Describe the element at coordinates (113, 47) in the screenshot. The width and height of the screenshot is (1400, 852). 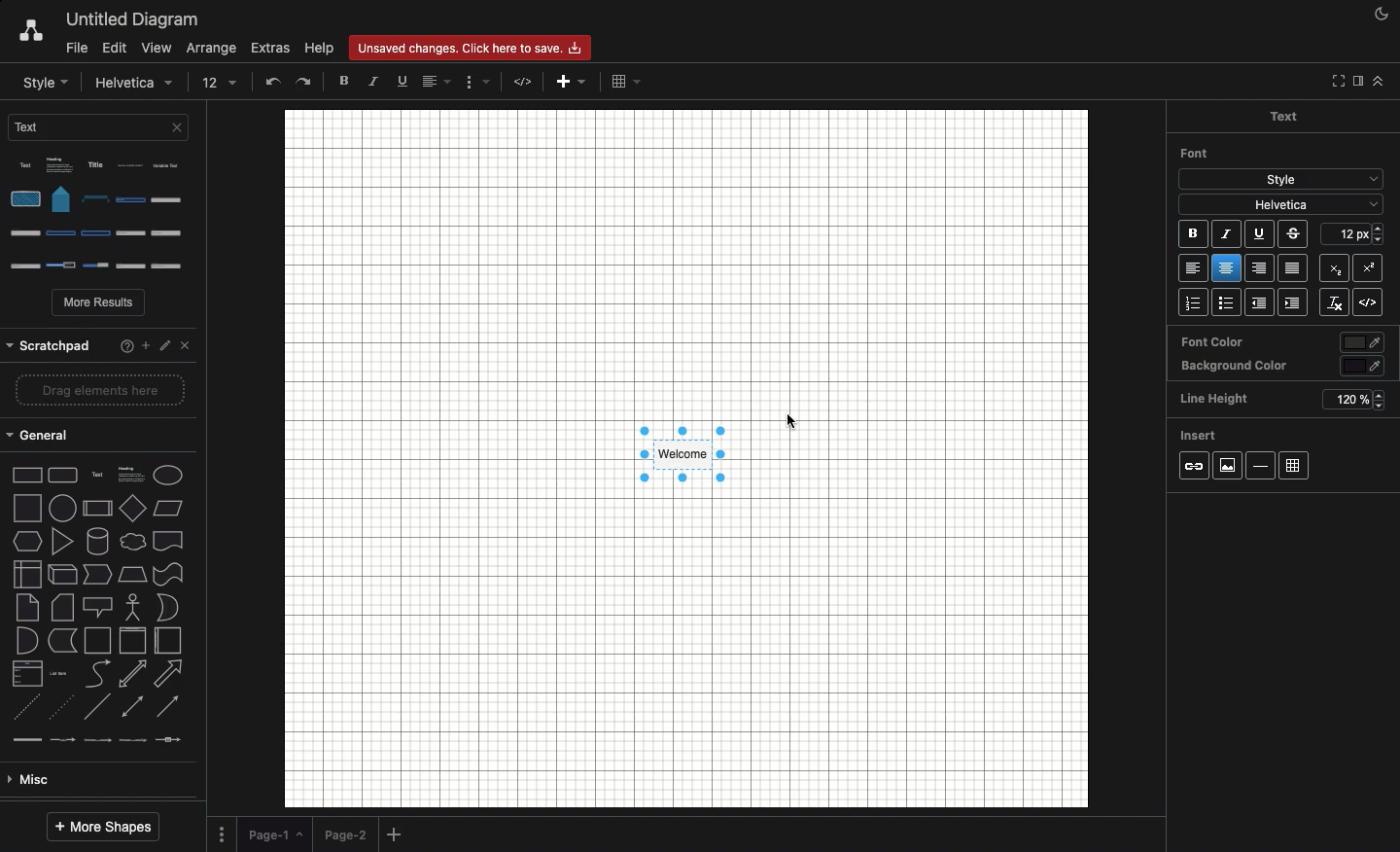
I see `Edit` at that location.